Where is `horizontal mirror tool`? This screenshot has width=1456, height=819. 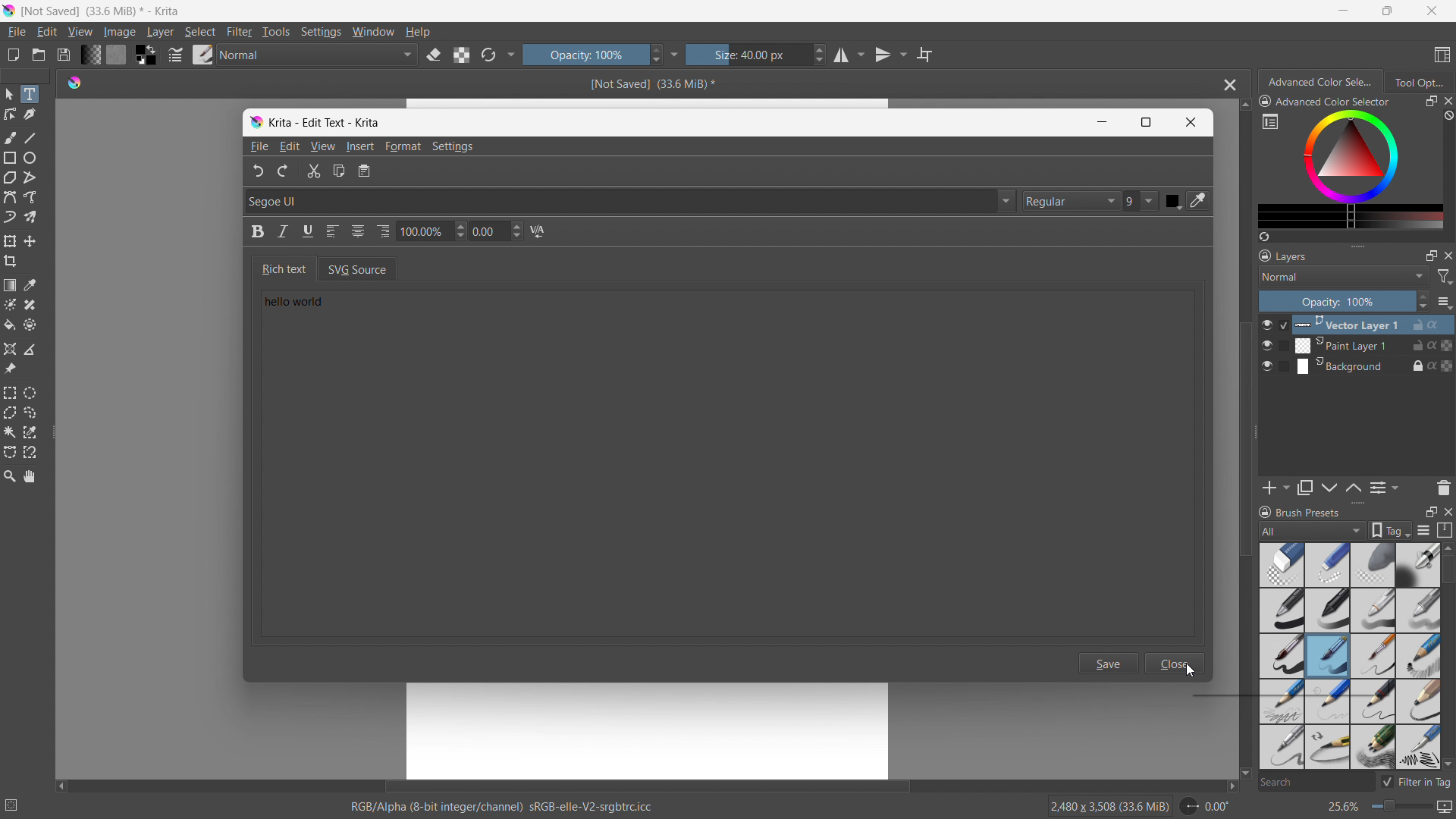 horizontal mirror tool is located at coordinates (848, 55).